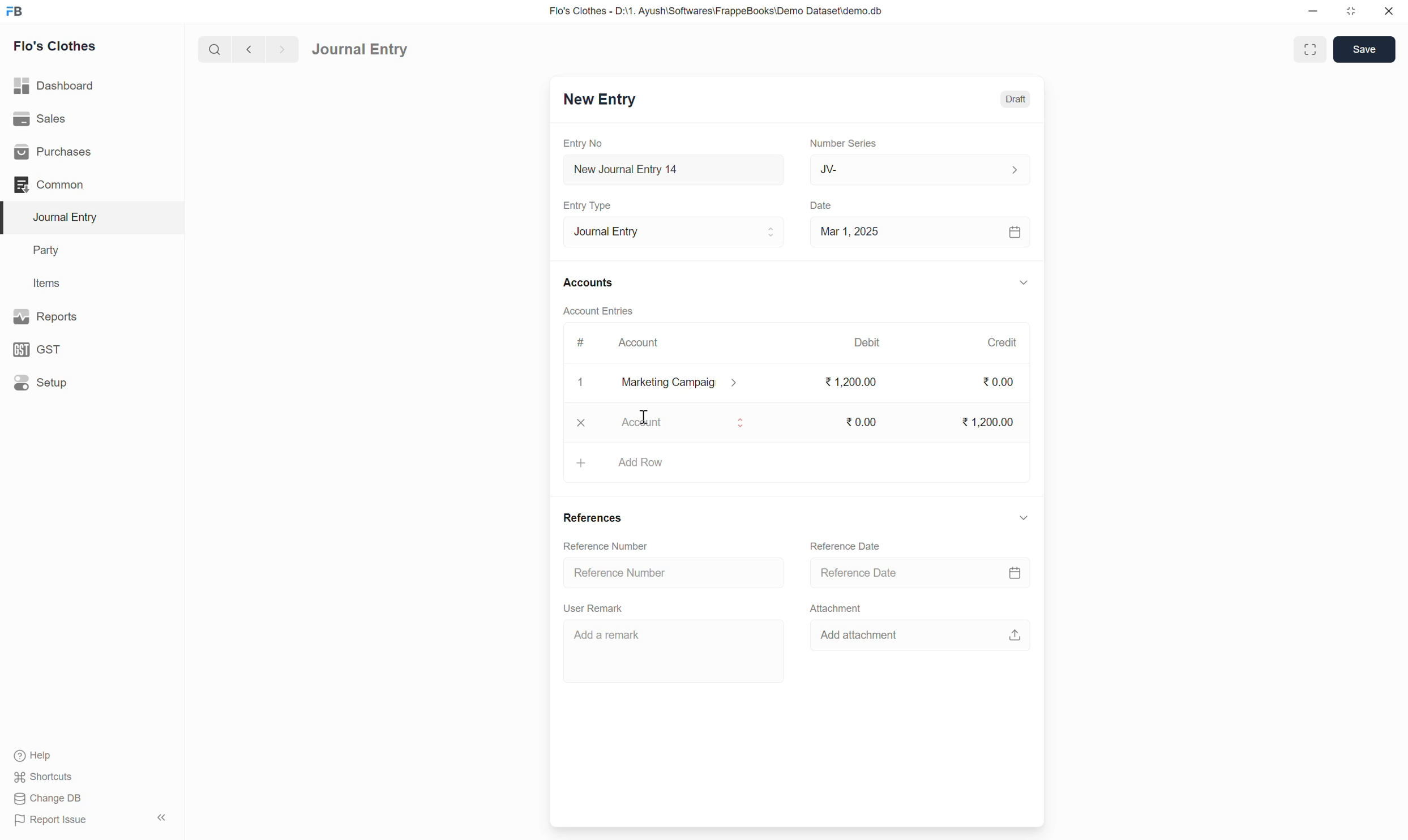 This screenshot has width=1408, height=840. Describe the element at coordinates (591, 205) in the screenshot. I see `Entry Type` at that location.